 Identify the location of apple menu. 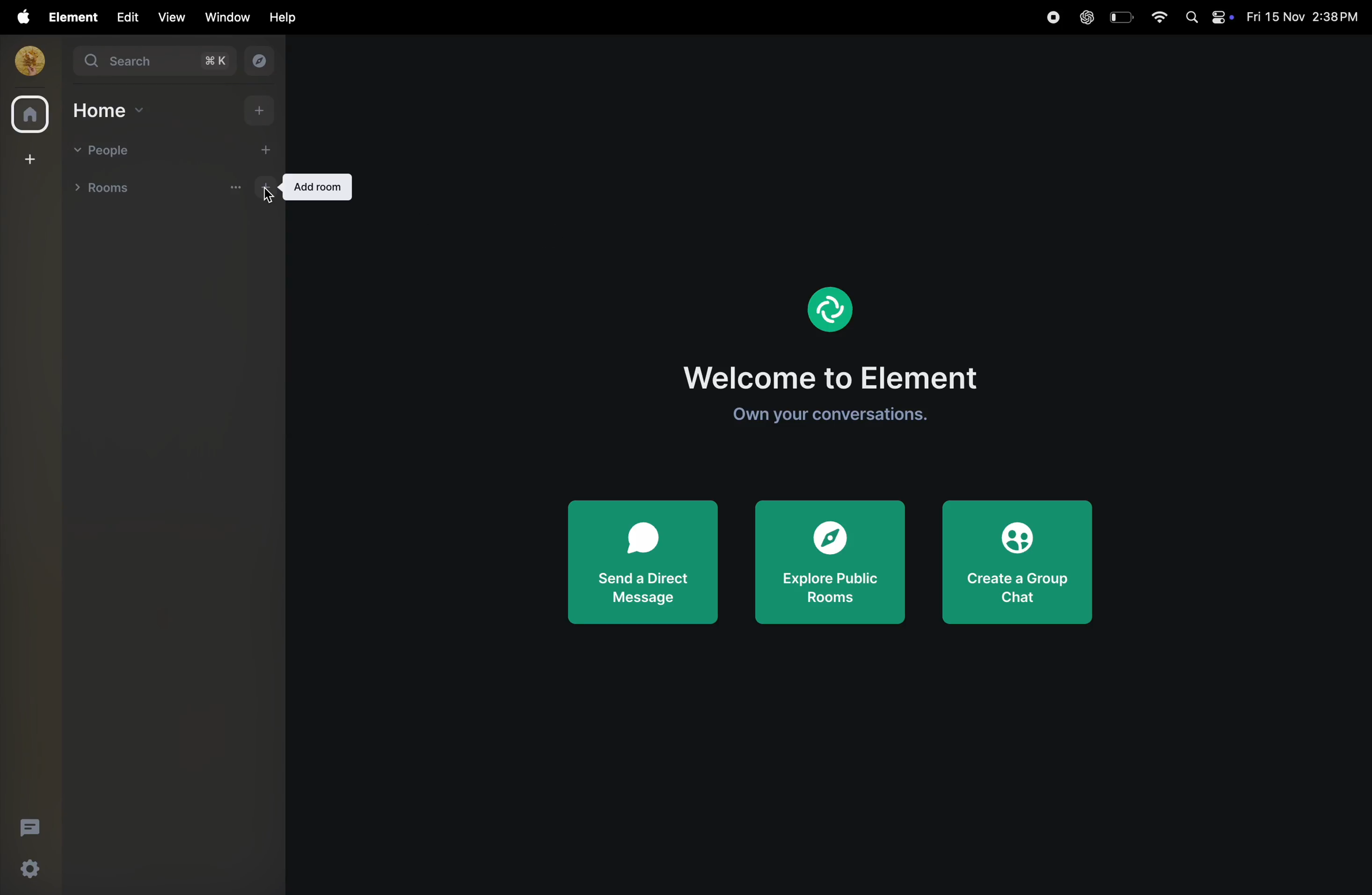
(19, 17).